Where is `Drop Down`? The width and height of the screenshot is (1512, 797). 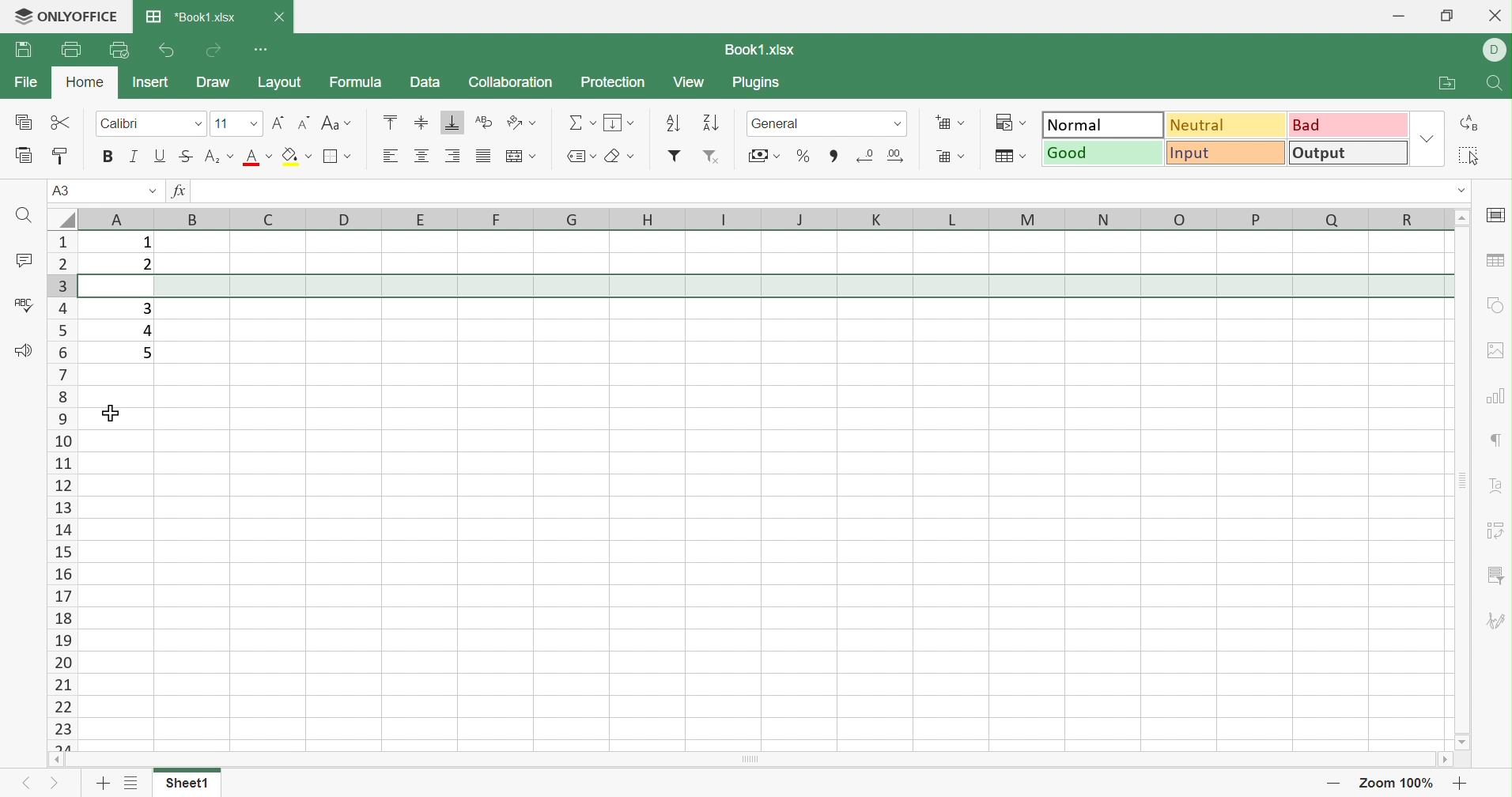 Drop Down is located at coordinates (533, 155).